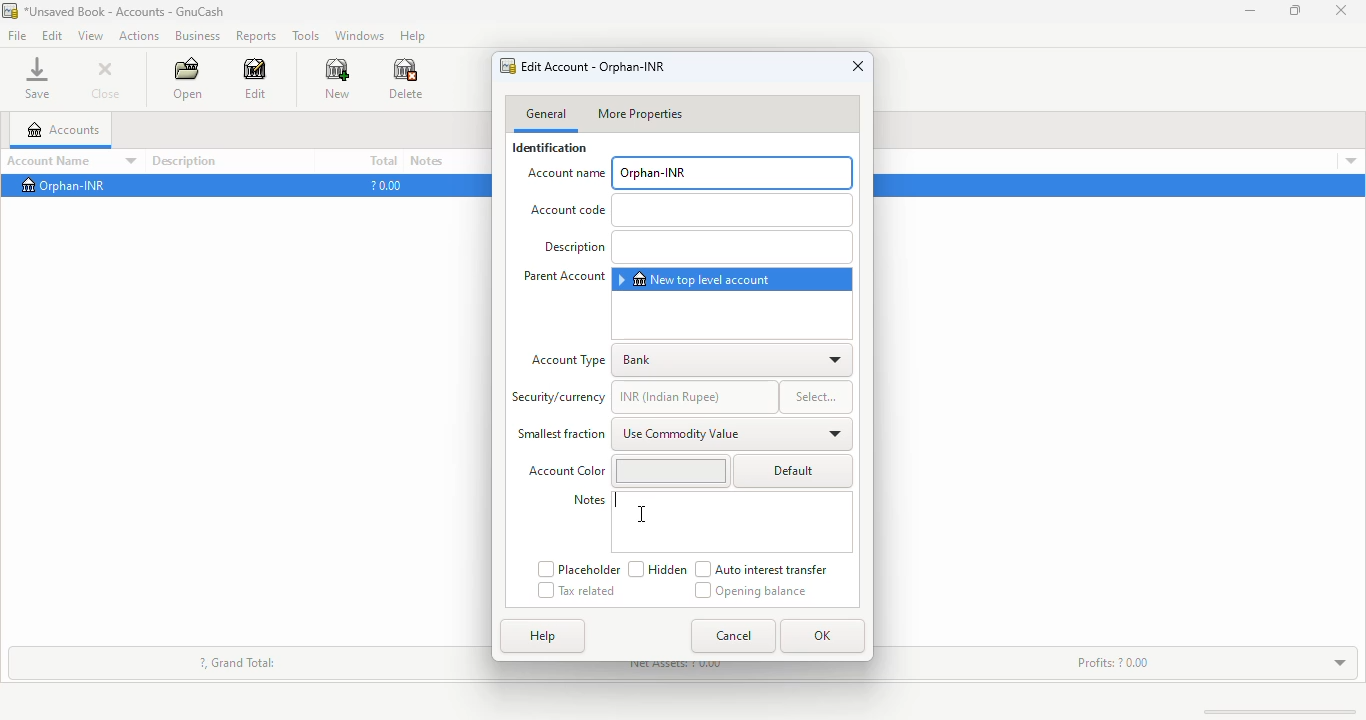 The height and width of the screenshot is (720, 1366). I want to click on file, so click(17, 35).